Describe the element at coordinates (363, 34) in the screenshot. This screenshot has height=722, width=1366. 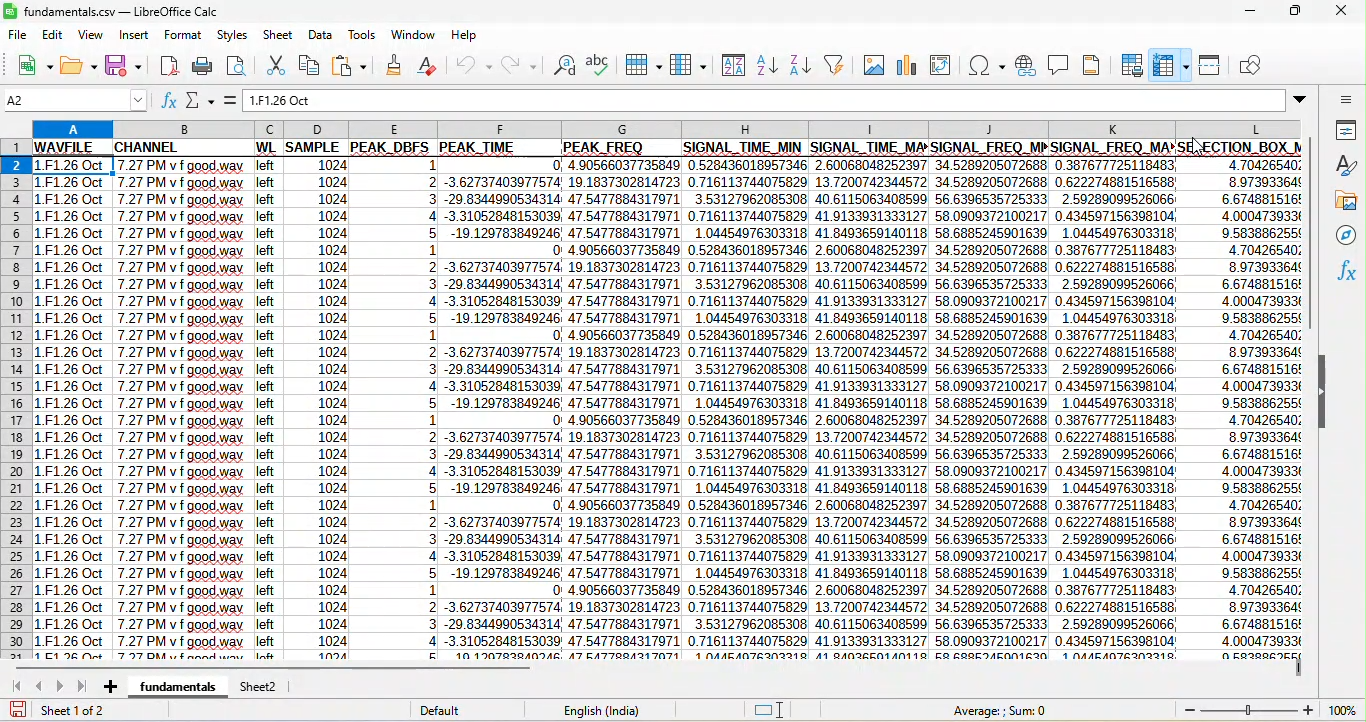
I see `tools` at that location.